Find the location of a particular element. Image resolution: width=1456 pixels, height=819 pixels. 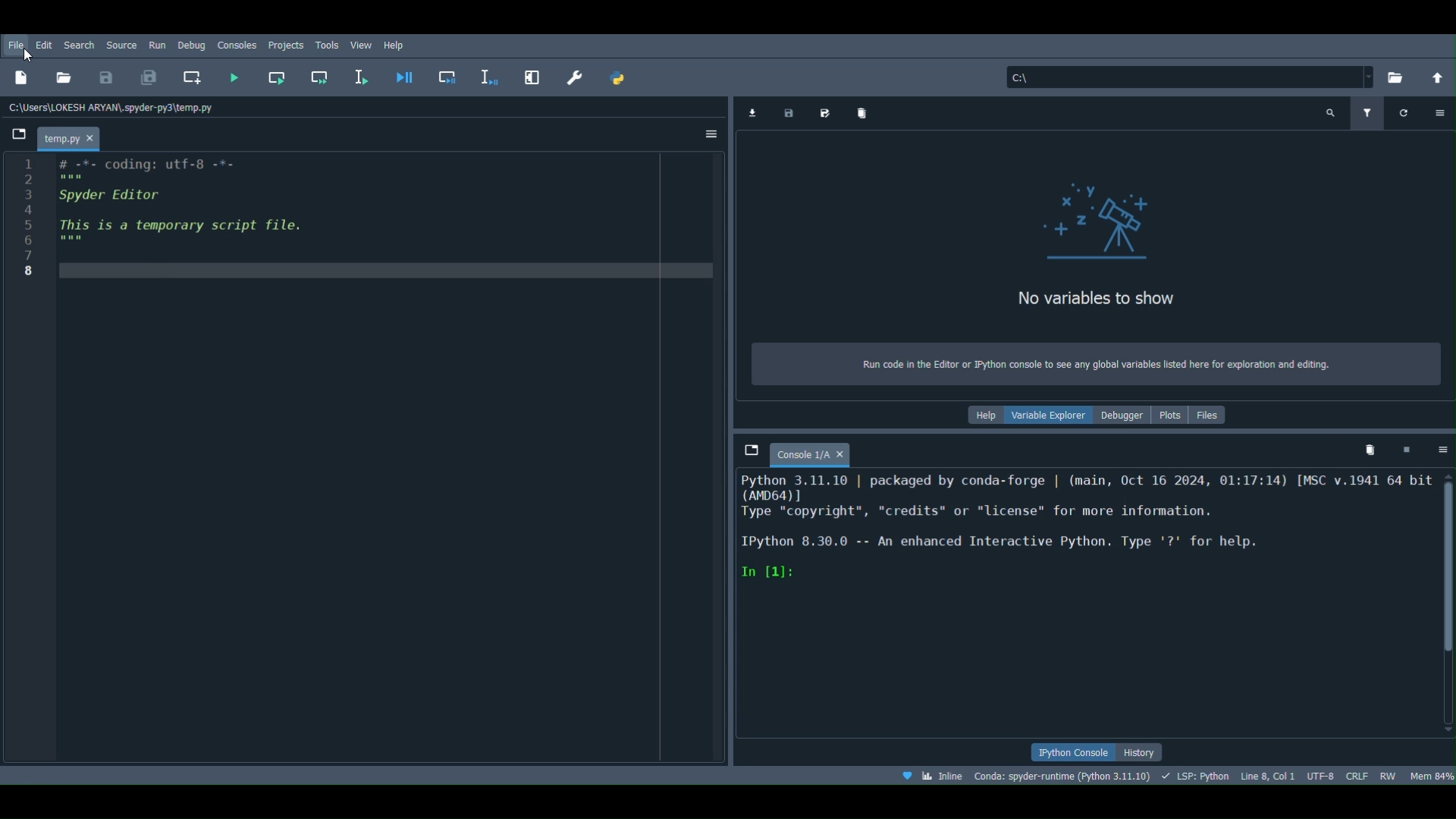

Source is located at coordinates (122, 43).